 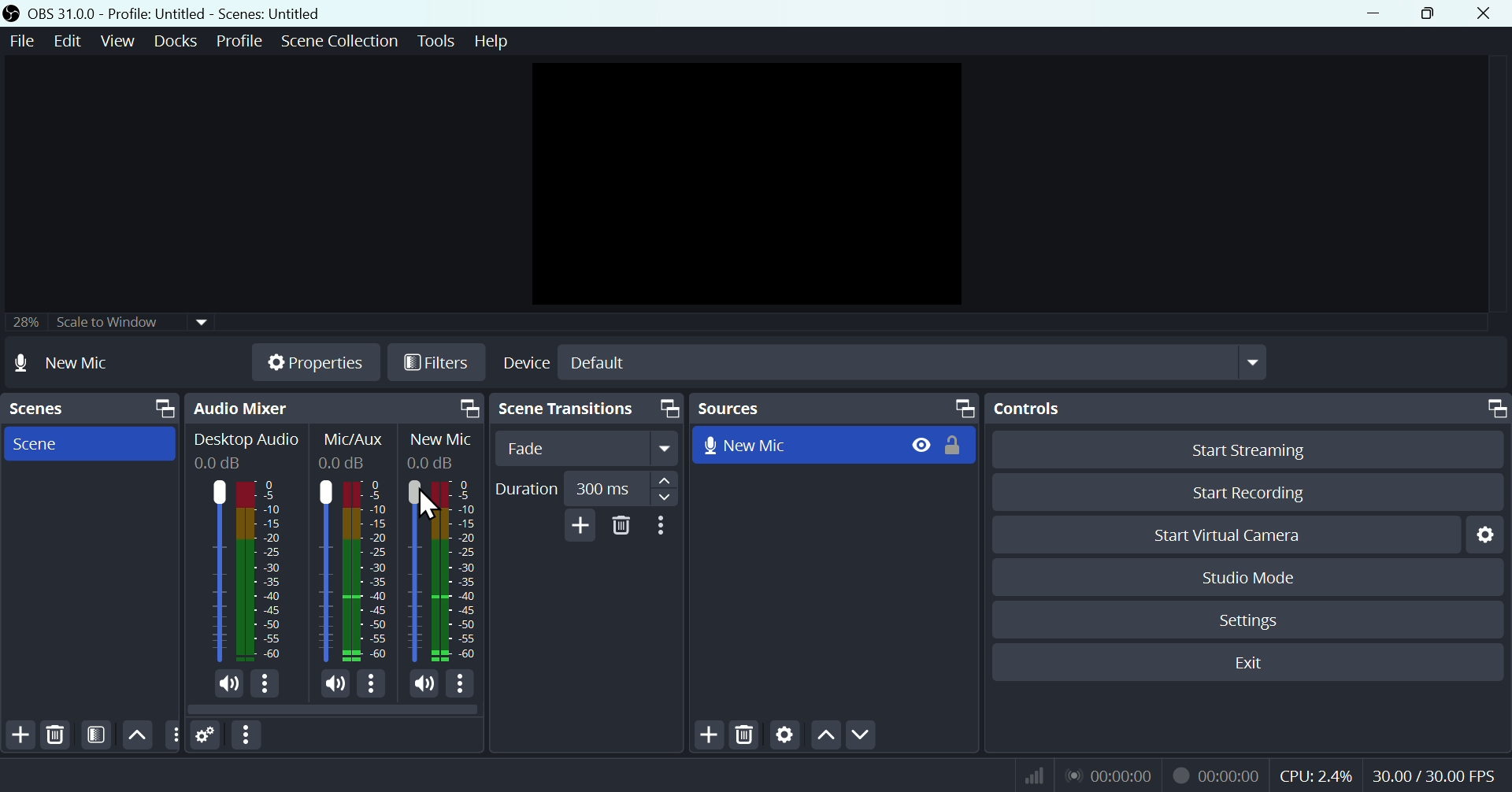 I want to click on Add, so click(x=577, y=525).